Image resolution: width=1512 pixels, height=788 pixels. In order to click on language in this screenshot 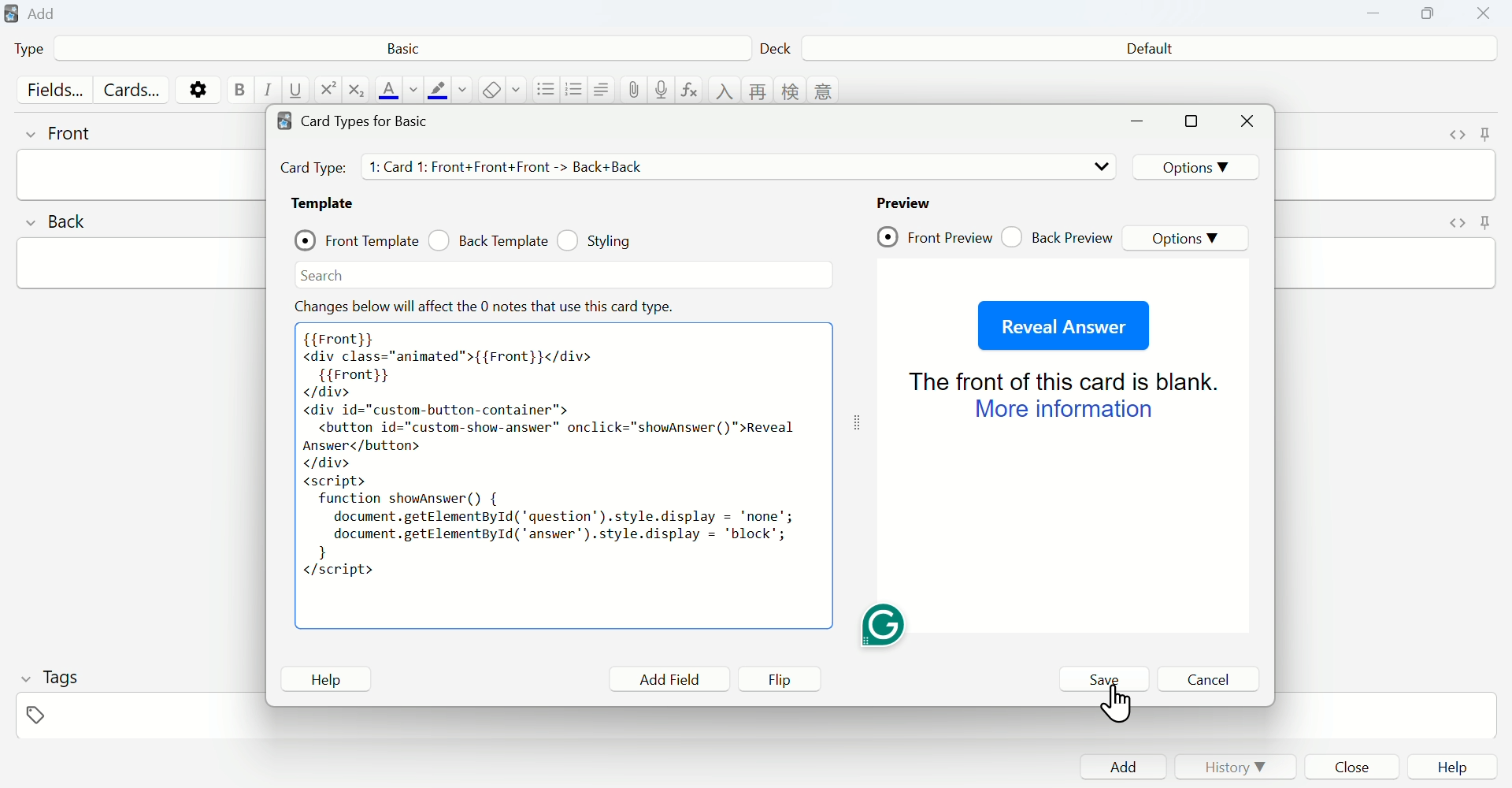, I will do `click(723, 90)`.